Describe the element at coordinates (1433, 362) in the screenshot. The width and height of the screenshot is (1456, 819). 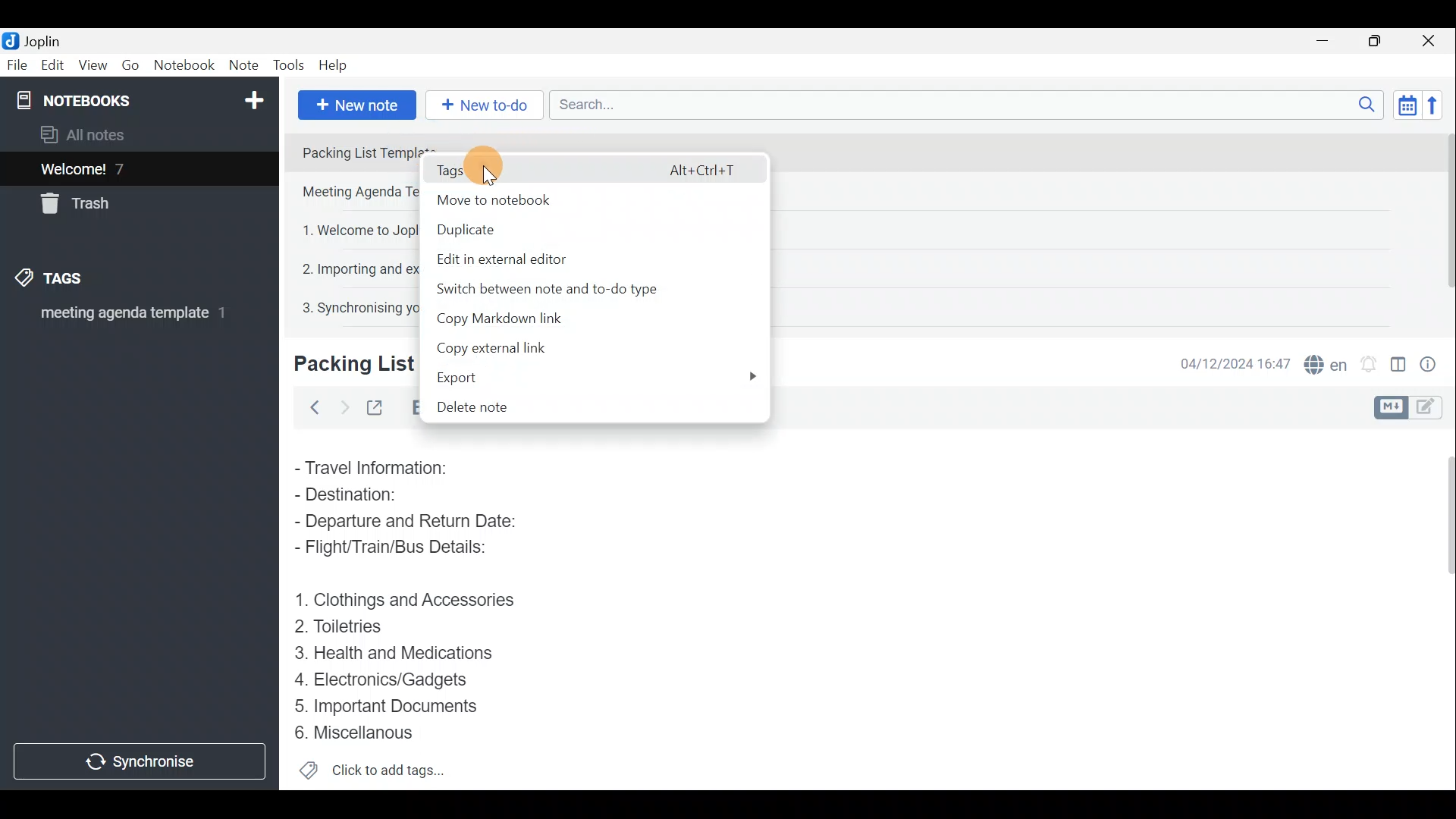
I see `Note properties` at that location.